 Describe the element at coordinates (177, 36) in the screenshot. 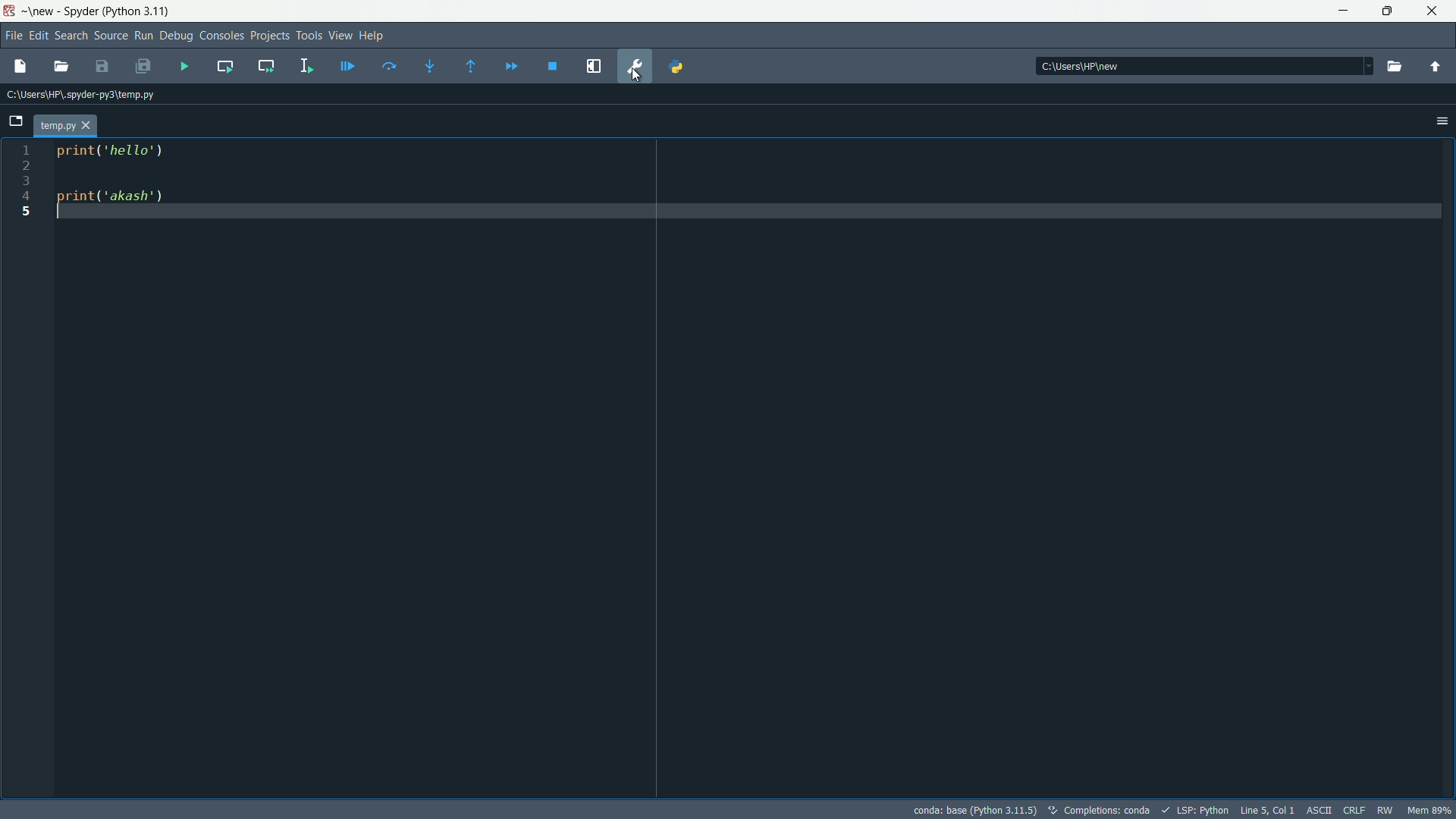

I see `debug menu` at that location.